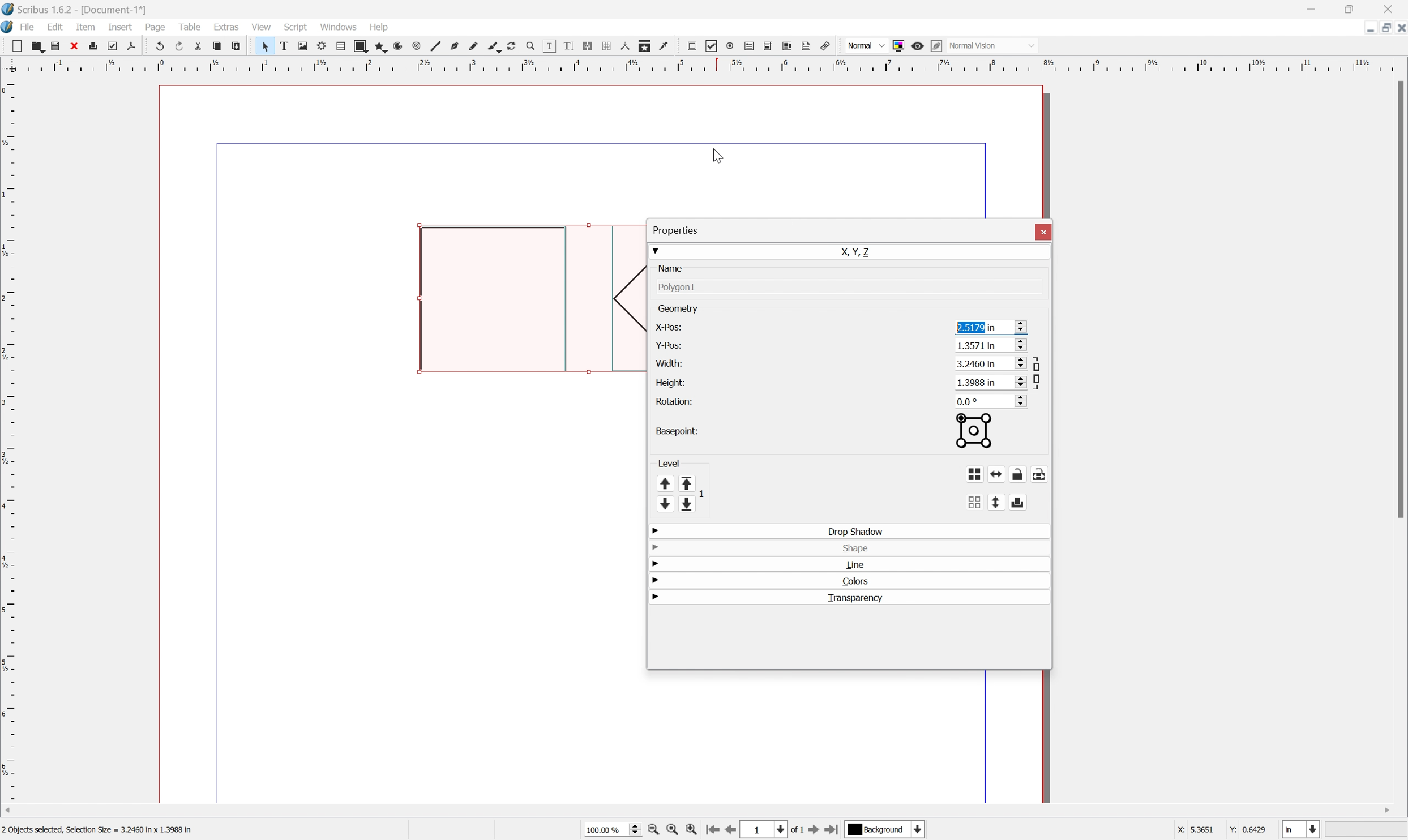  Describe the element at coordinates (854, 547) in the screenshot. I see `shape` at that location.